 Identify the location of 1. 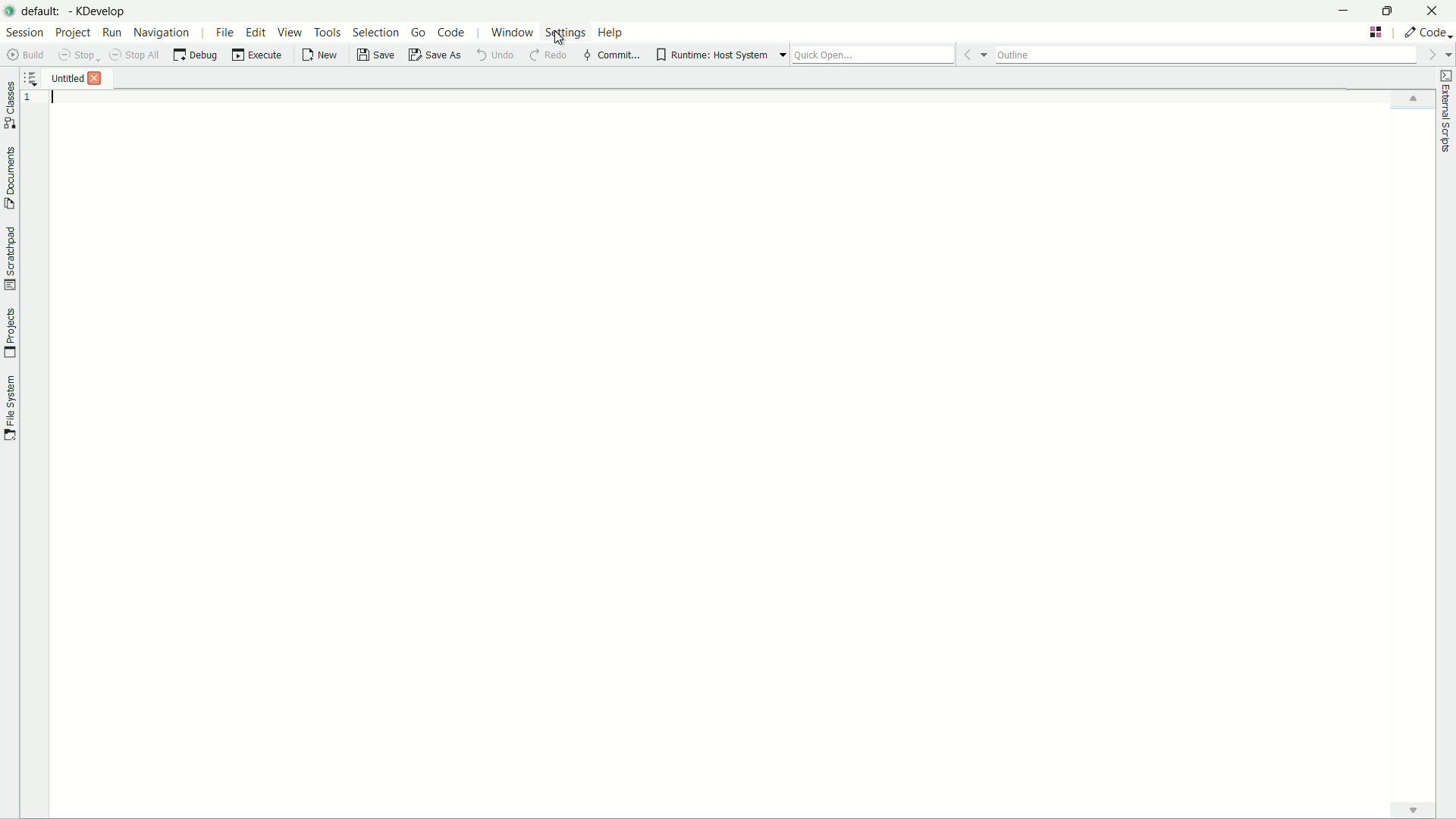
(34, 99).